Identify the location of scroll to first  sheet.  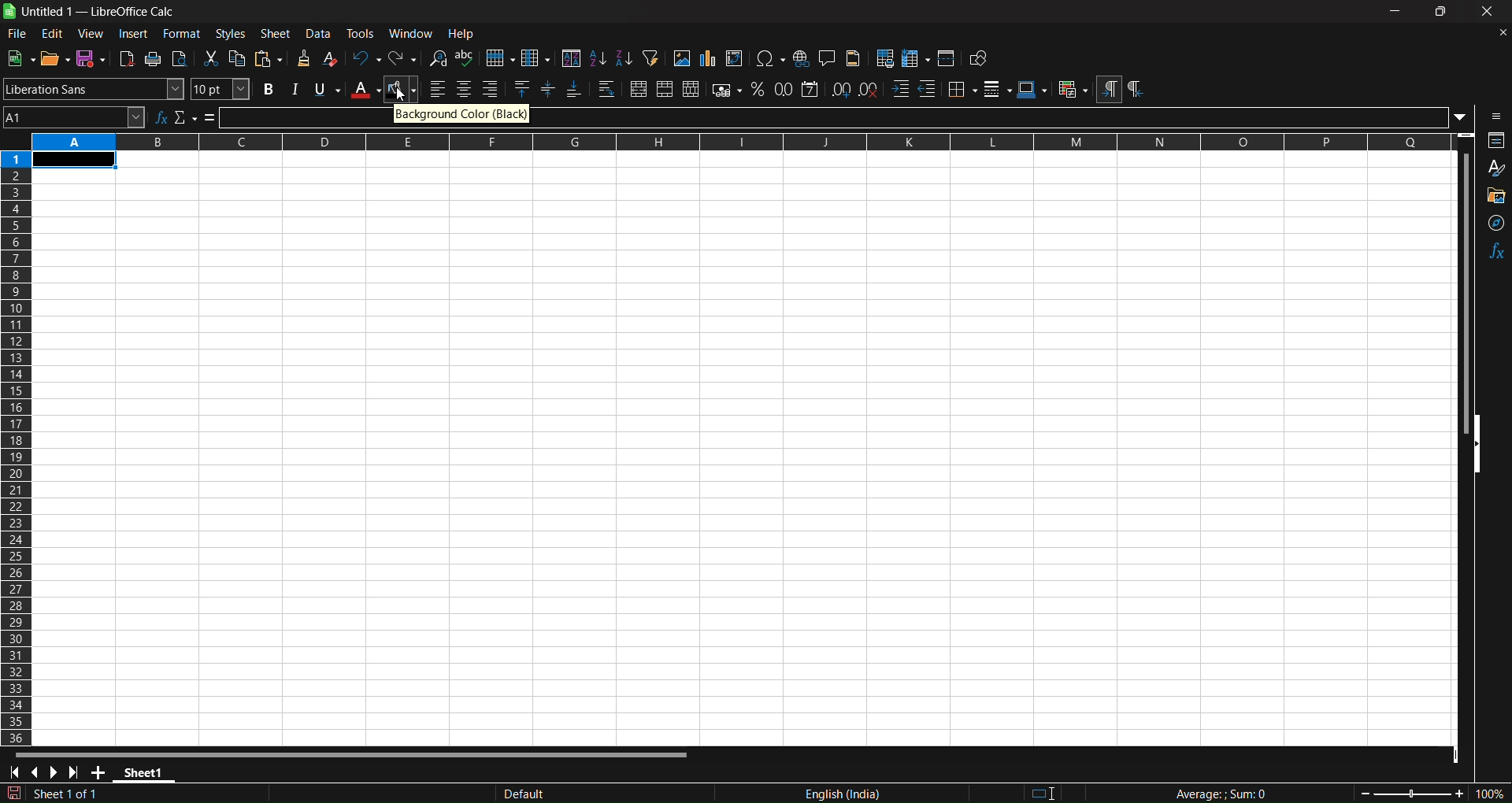
(13, 772).